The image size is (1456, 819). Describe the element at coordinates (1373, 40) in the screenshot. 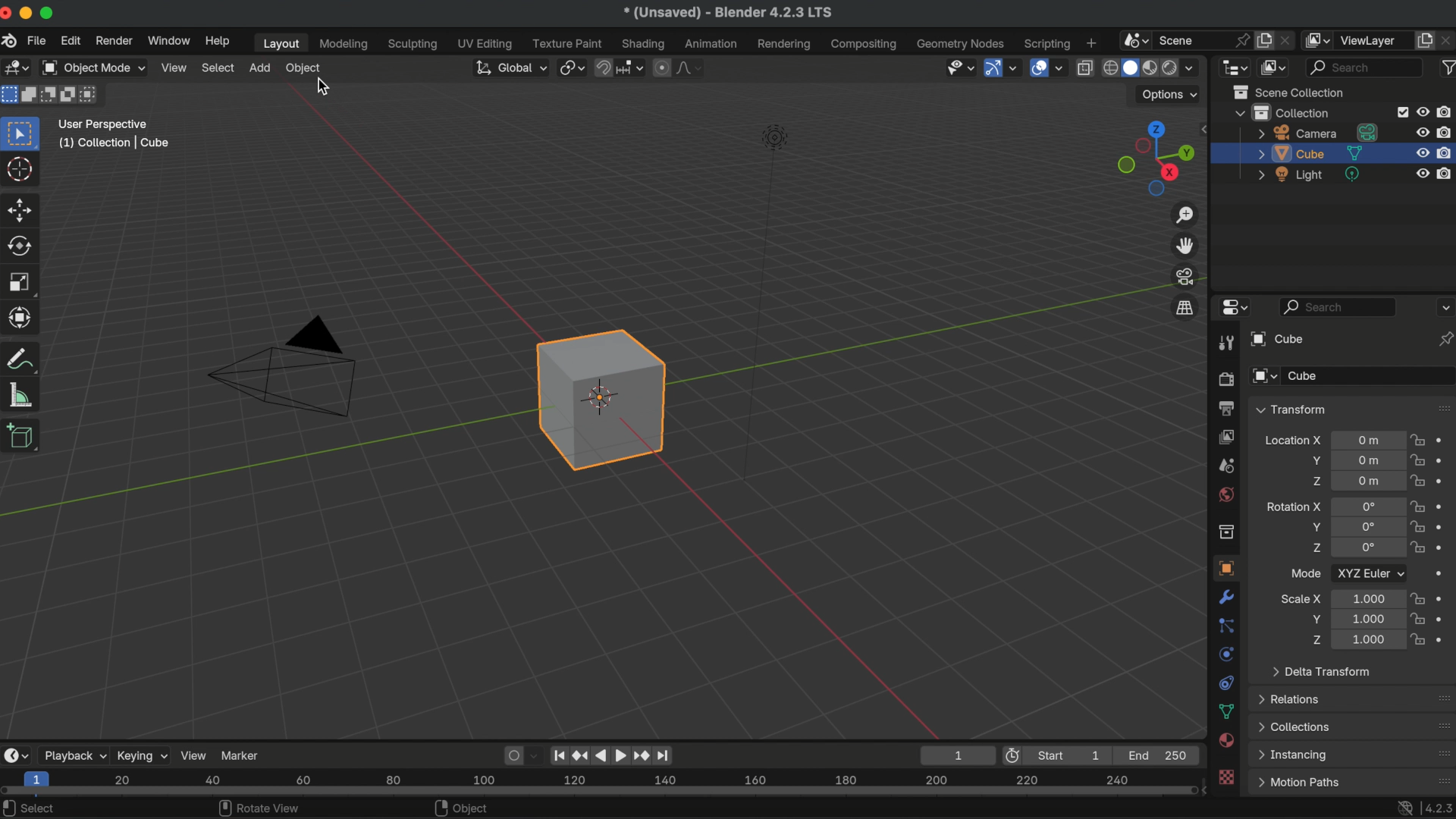

I see `view layer` at that location.